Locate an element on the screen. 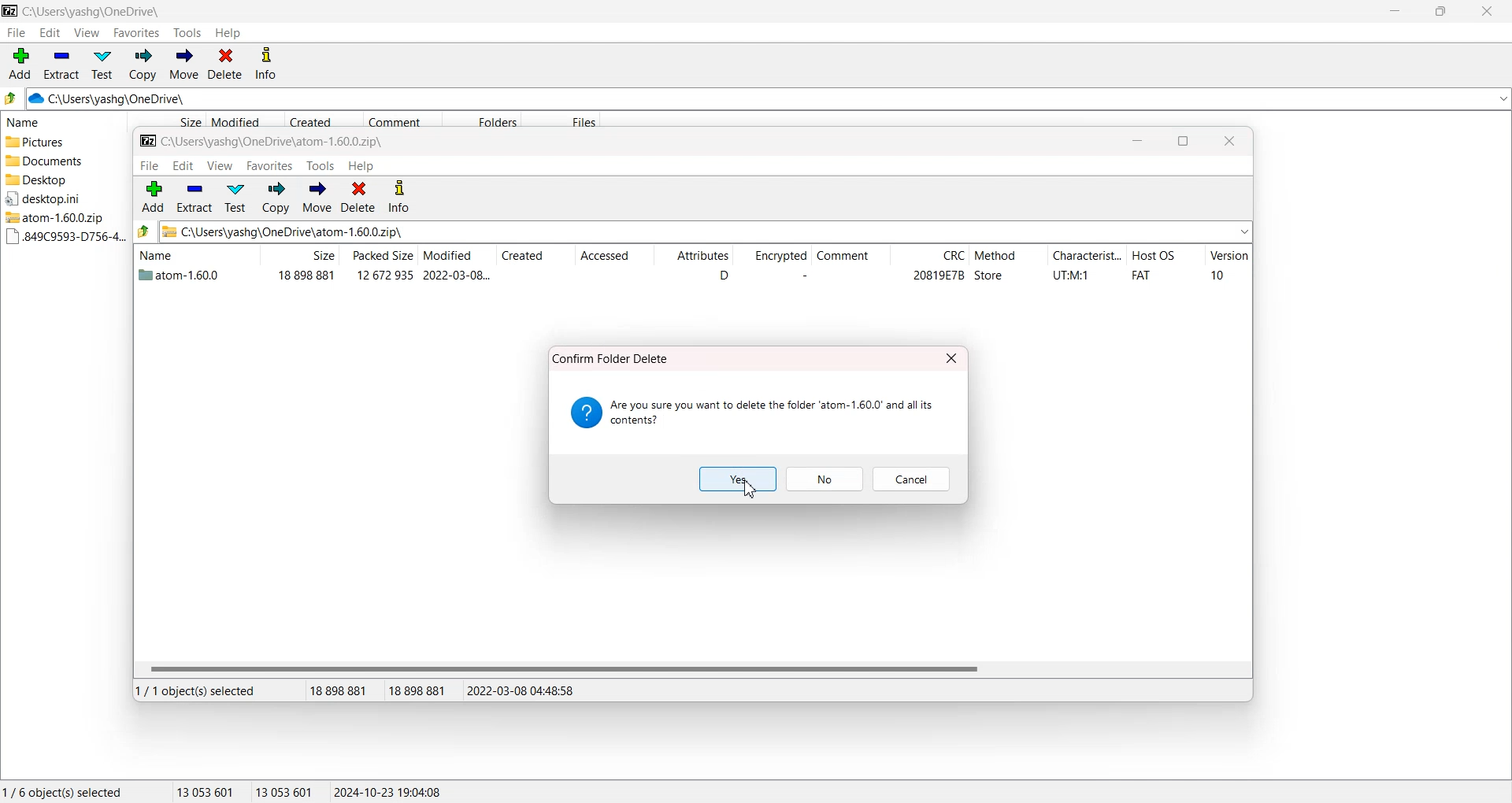  add is located at coordinates (154, 196).